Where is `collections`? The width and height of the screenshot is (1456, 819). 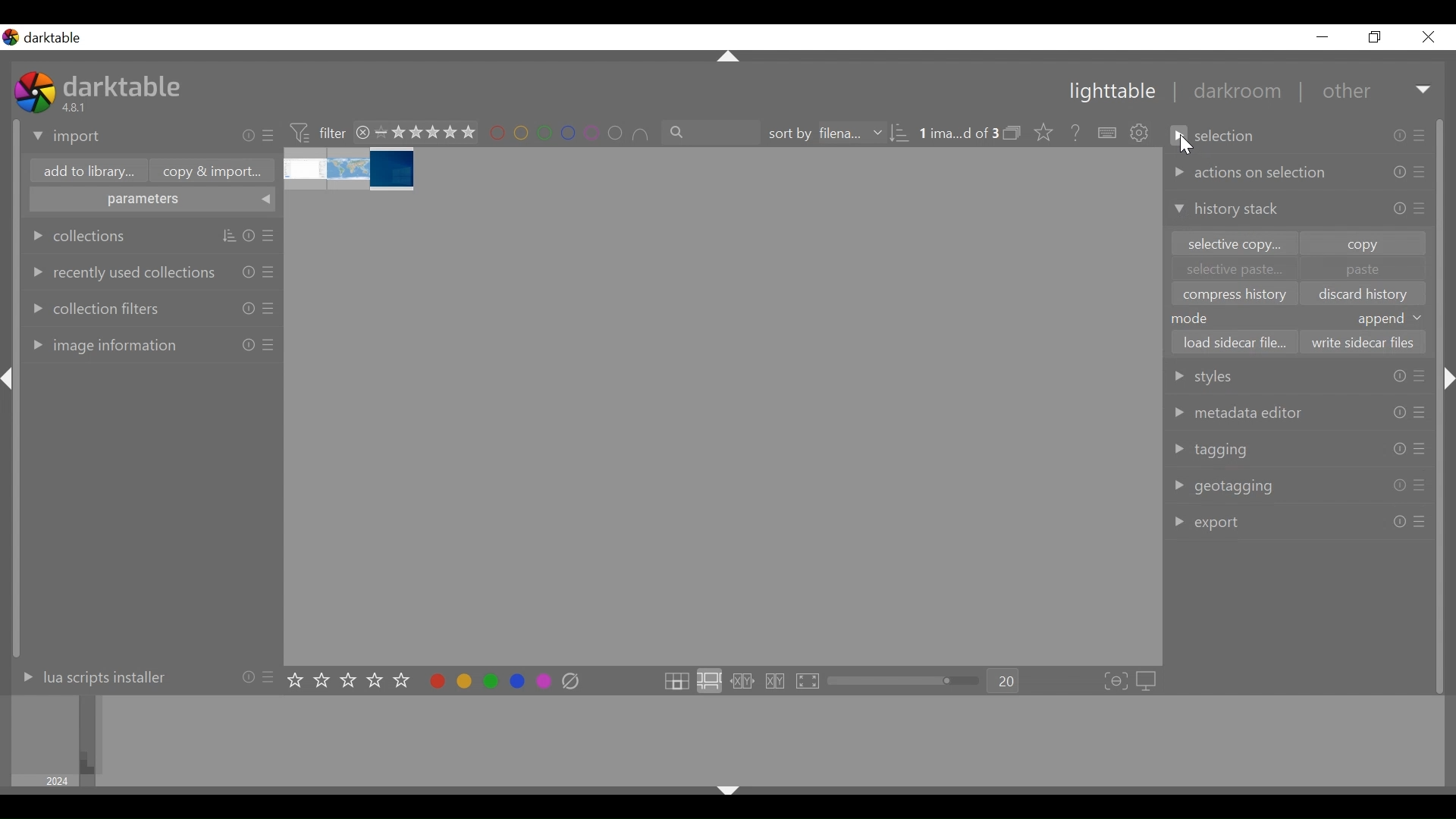 collections is located at coordinates (80, 236).